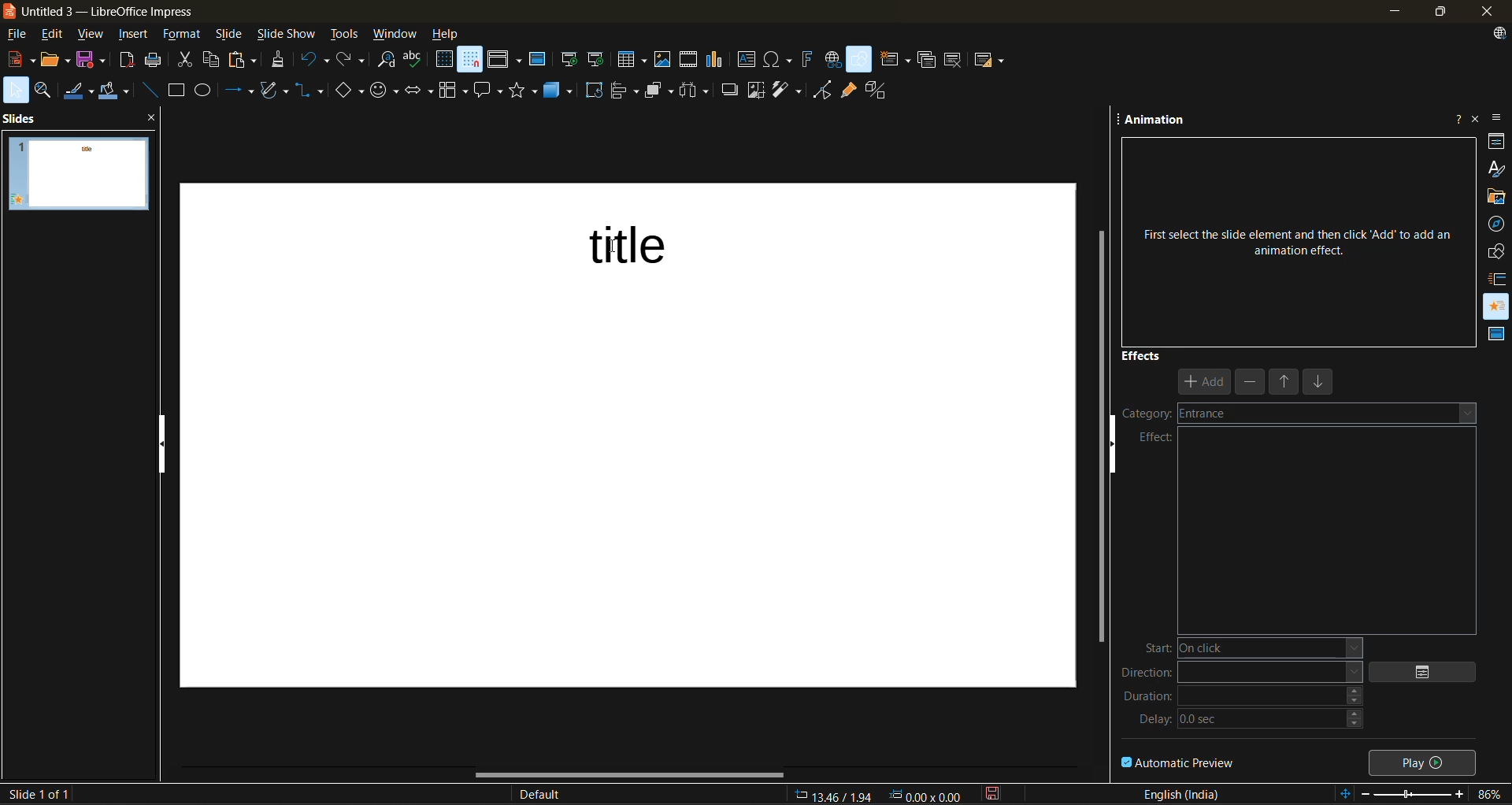 The image size is (1512, 805). I want to click on start, so click(1245, 648).